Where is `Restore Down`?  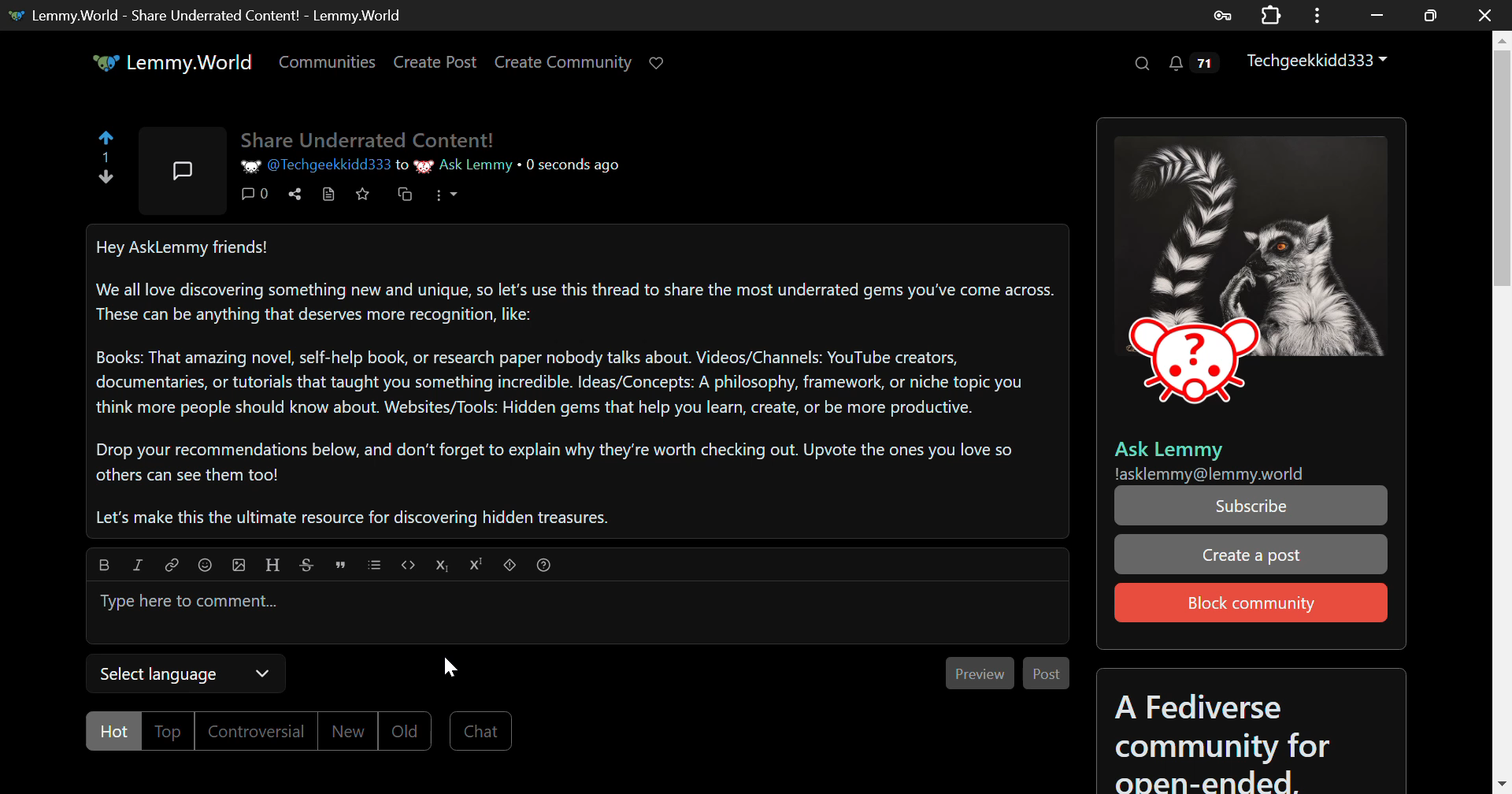 Restore Down is located at coordinates (1378, 15).